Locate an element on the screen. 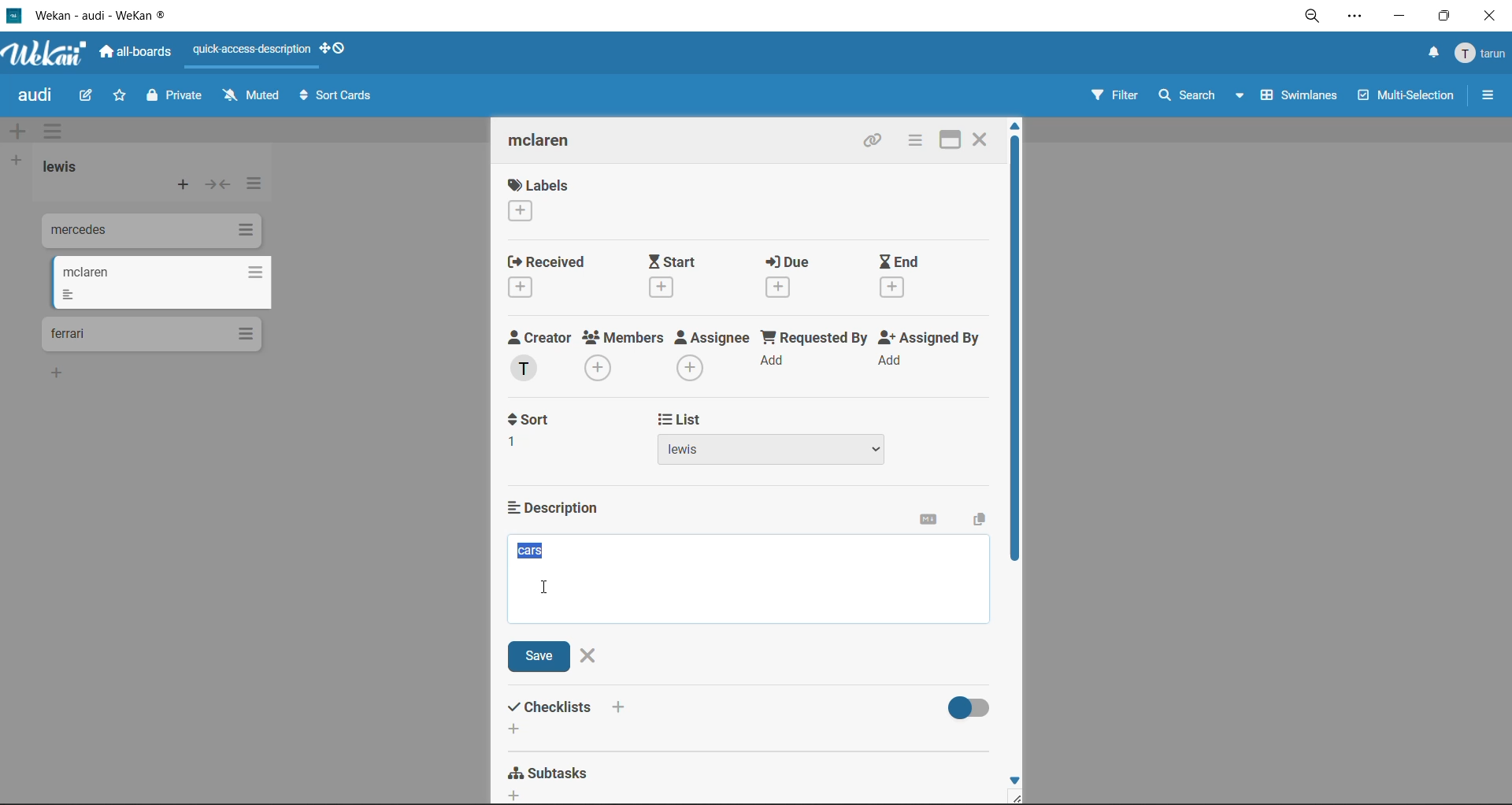 Image resolution: width=1512 pixels, height=805 pixels. card actions is located at coordinates (914, 140).